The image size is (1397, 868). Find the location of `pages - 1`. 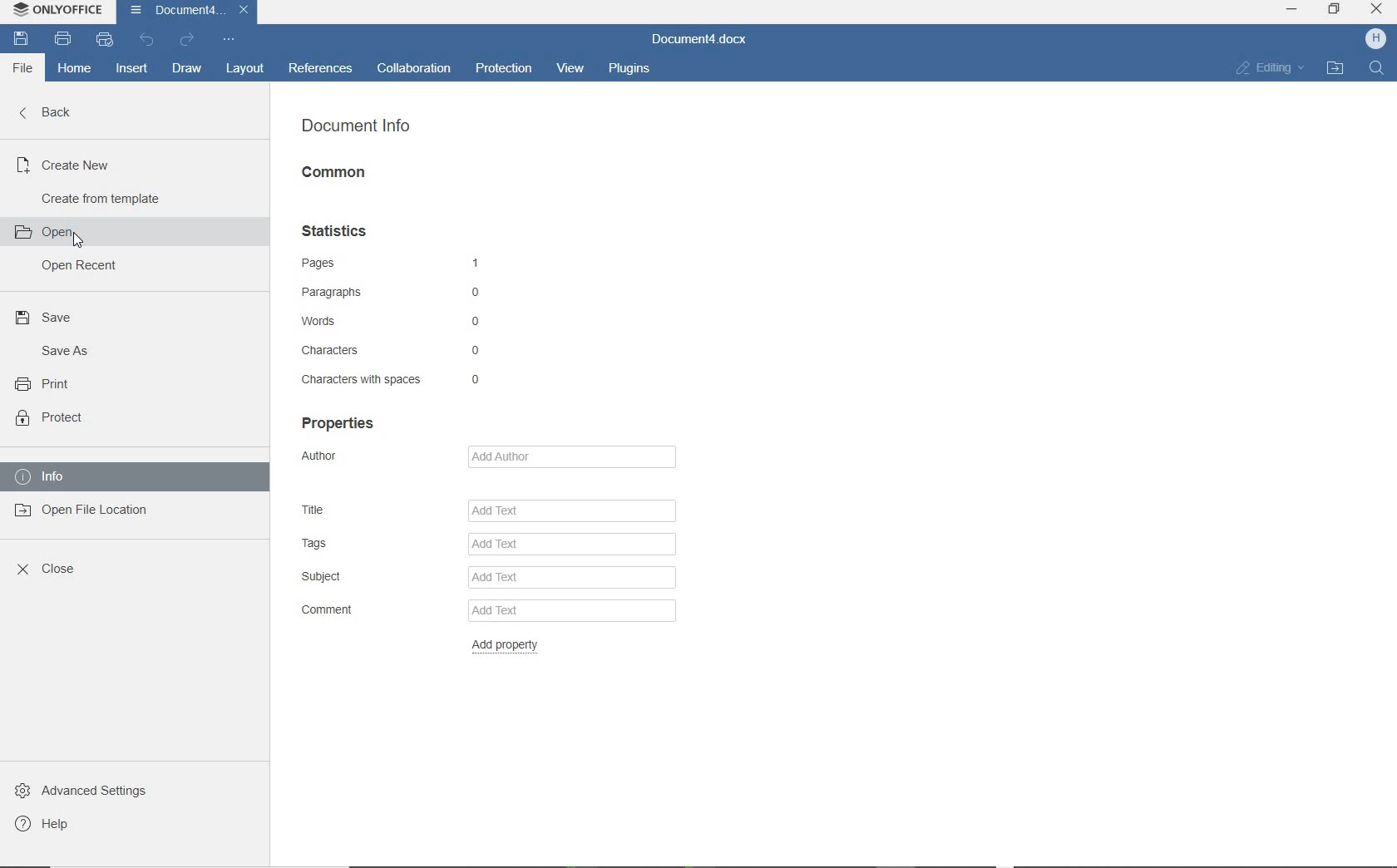

pages - 1 is located at coordinates (397, 264).